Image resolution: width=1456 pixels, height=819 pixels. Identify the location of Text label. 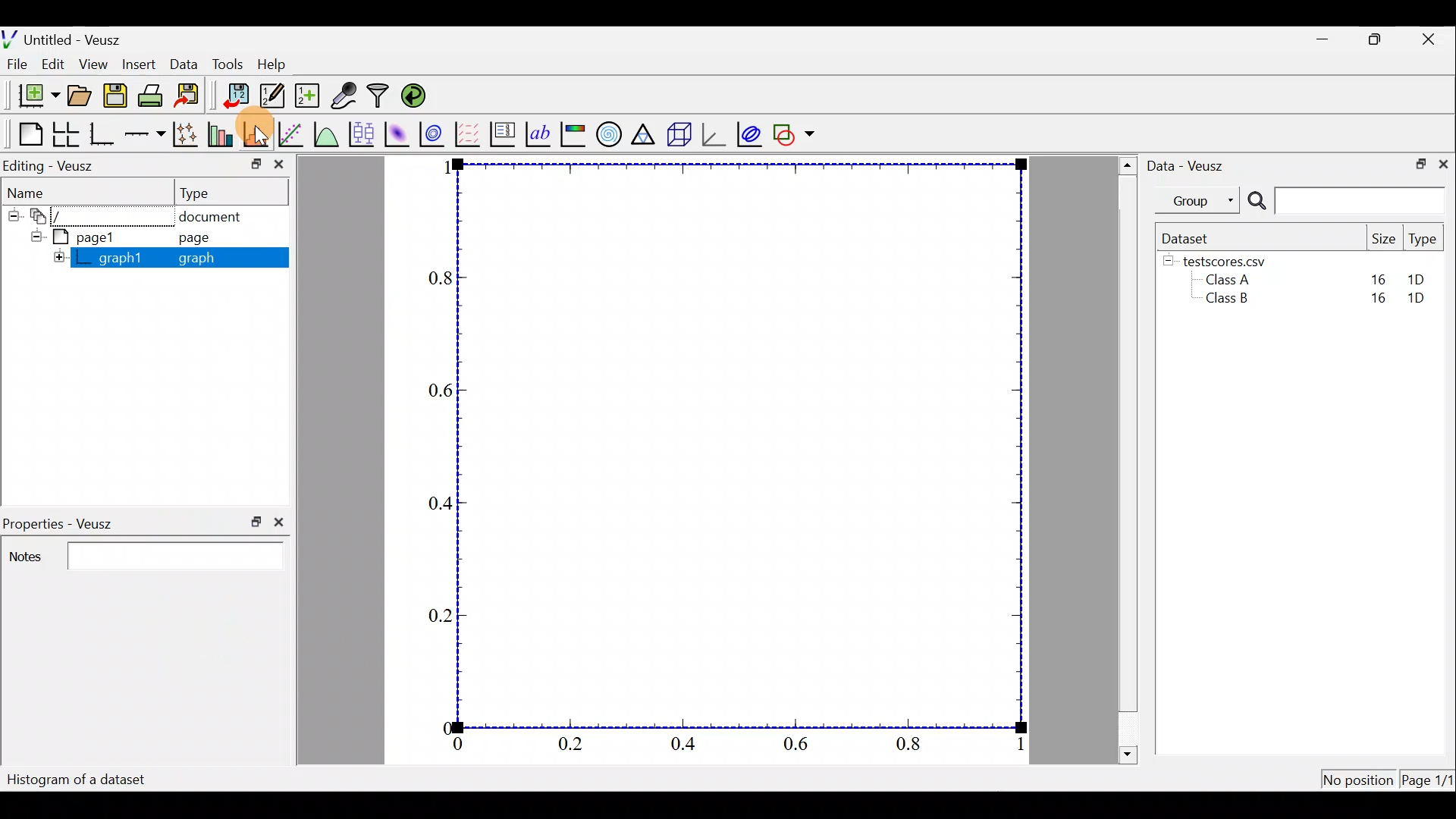
(536, 133).